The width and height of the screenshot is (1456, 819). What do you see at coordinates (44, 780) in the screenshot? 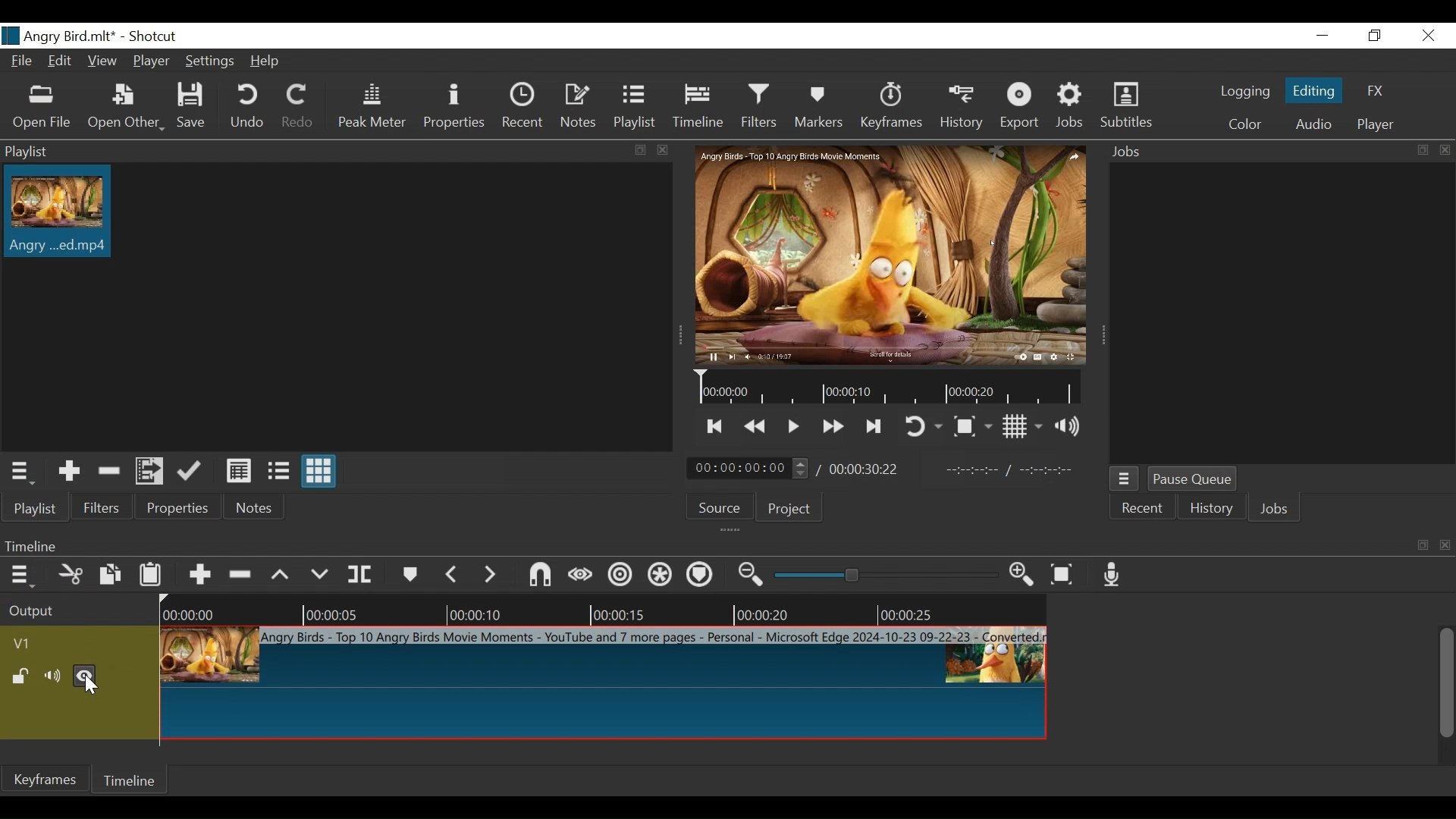
I see `Keyframe` at bounding box center [44, 780].